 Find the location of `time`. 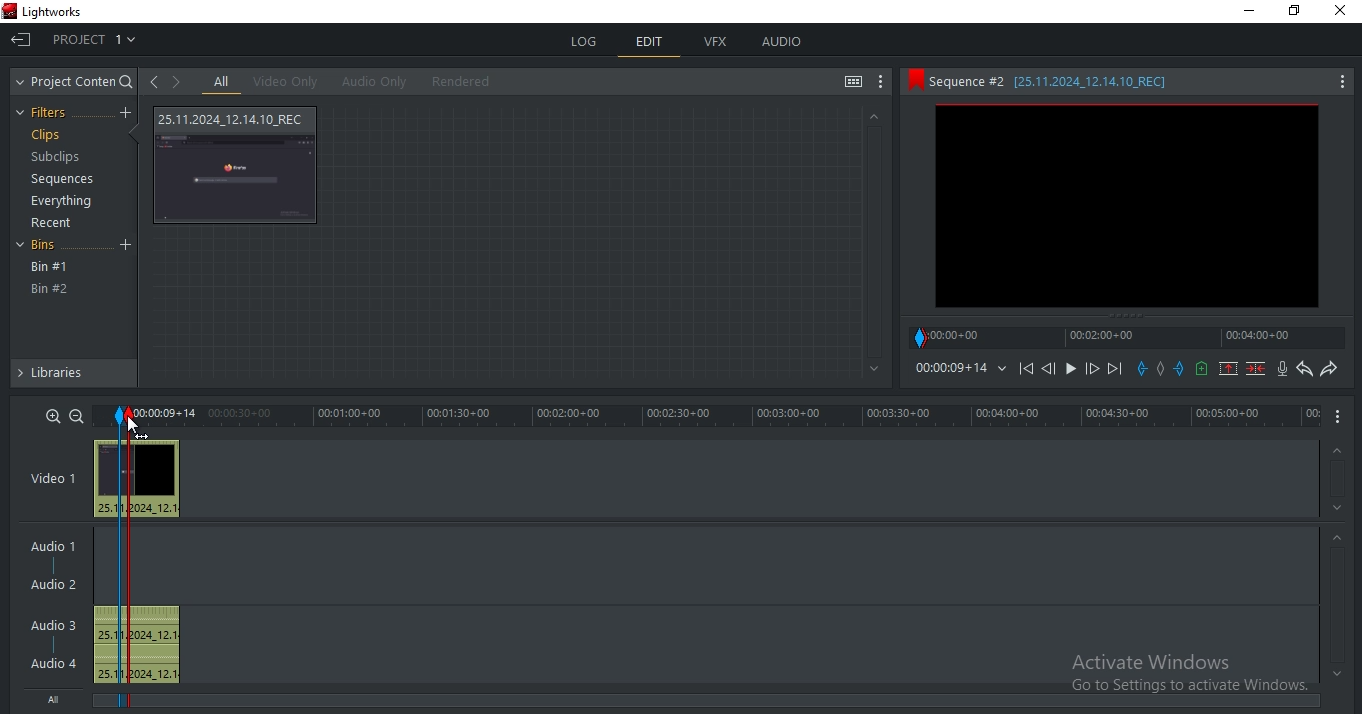

time is located at coordinates (741, 416).